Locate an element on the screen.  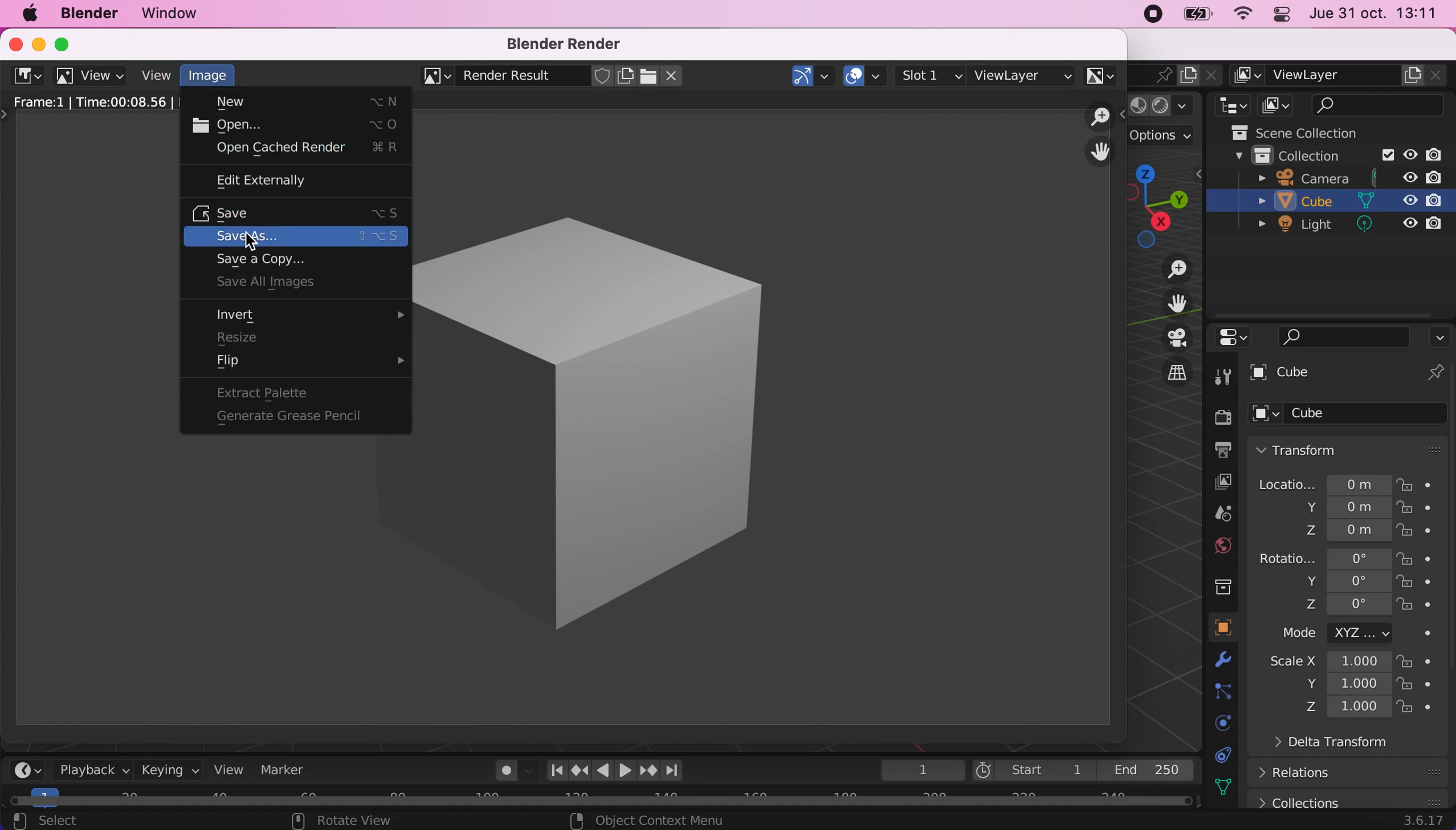
lock is located at coordinates (1417, 607).